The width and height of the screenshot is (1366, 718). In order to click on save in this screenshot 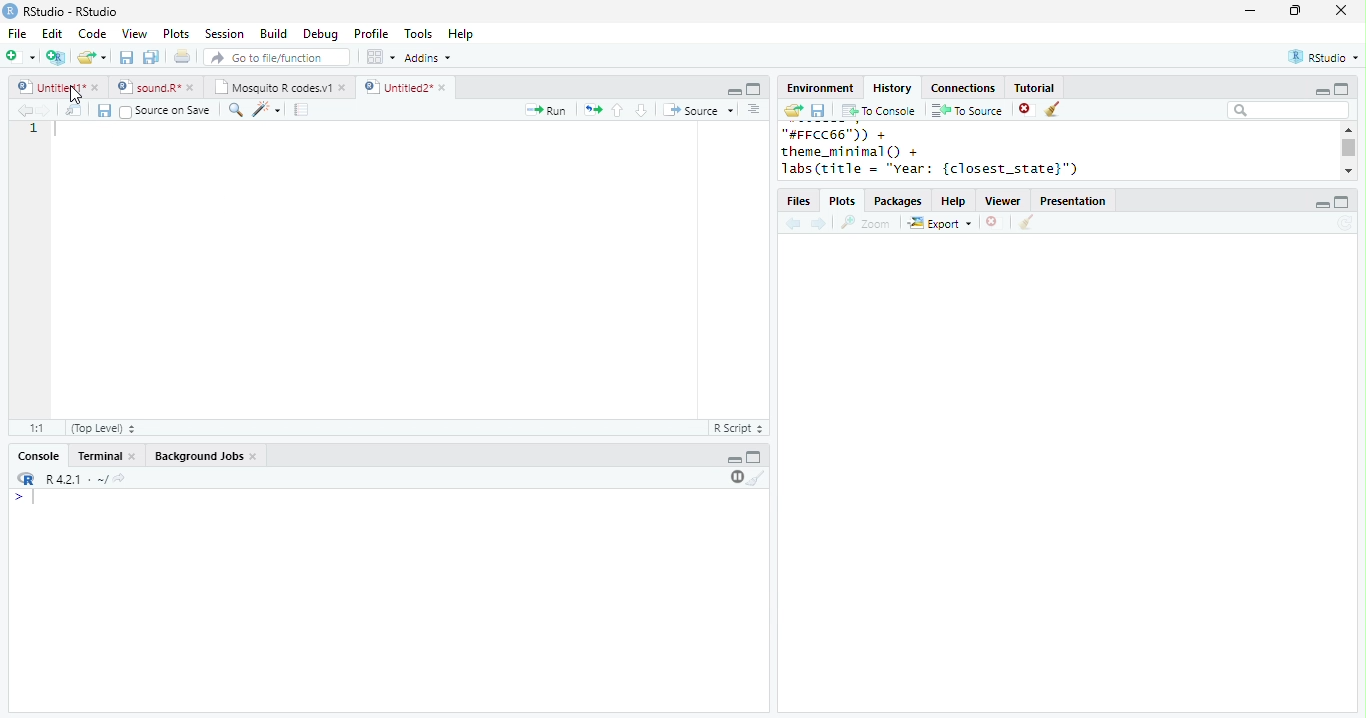, I will do `click(818, 111)`.